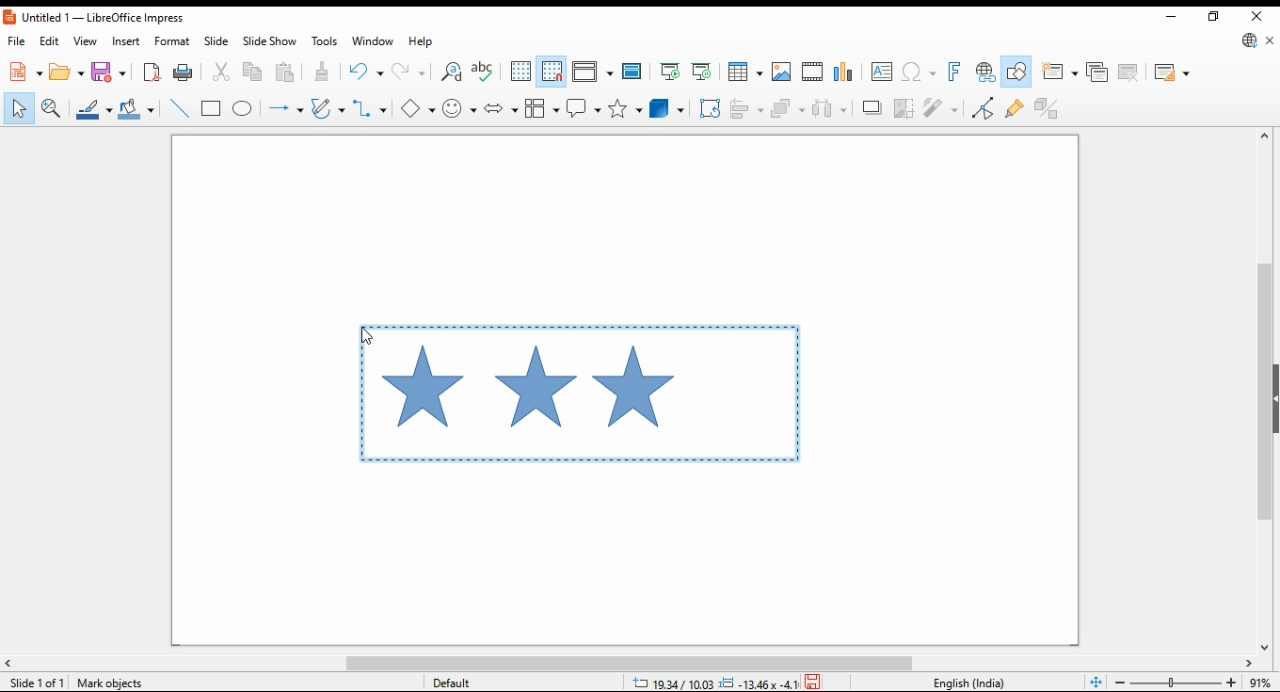  Describe the element at coordinates (881, 73) in the screenshot. I see `insert textbox` at that location.